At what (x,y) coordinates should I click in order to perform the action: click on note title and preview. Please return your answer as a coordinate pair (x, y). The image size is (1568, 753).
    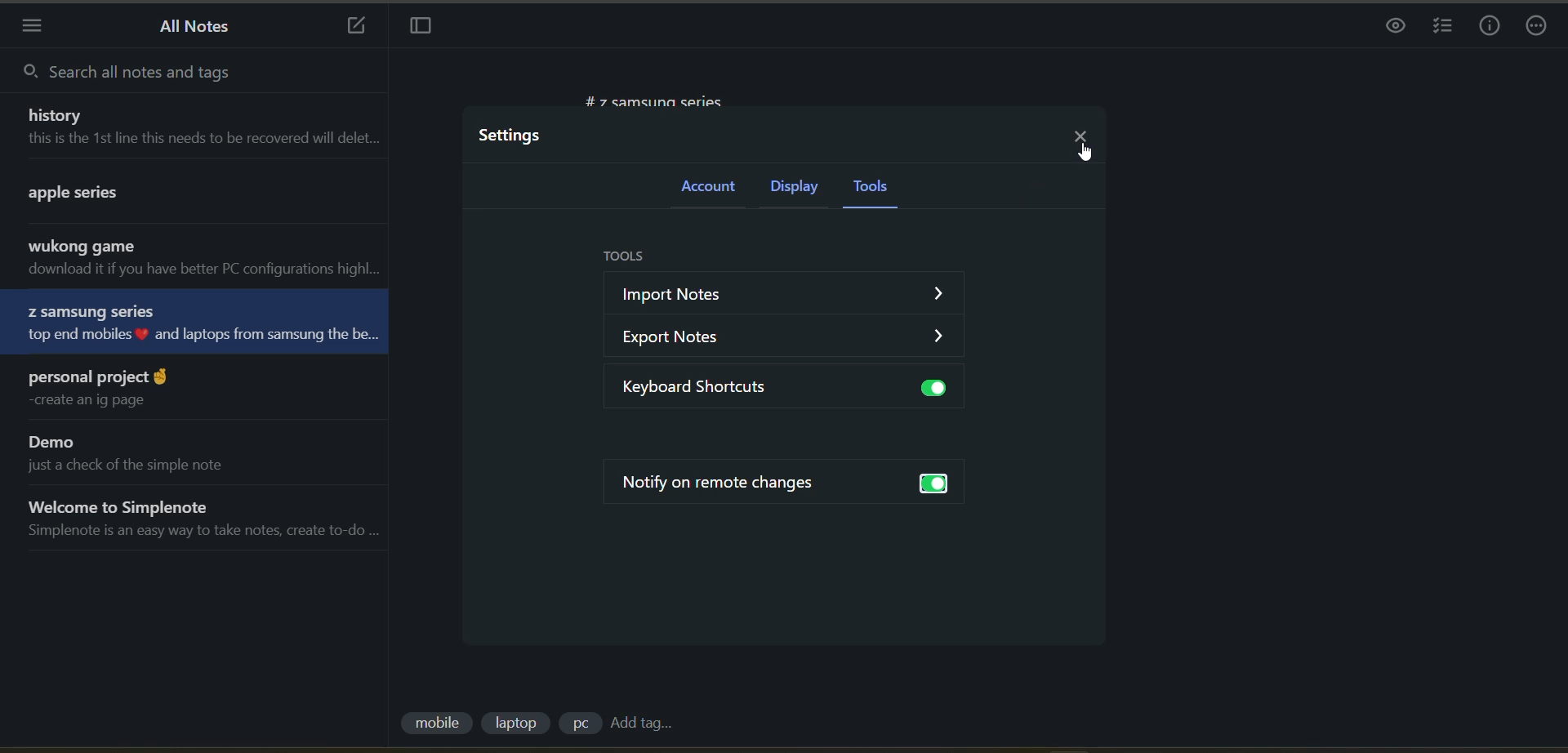
    Looking at the image, I should click on (187, 321).